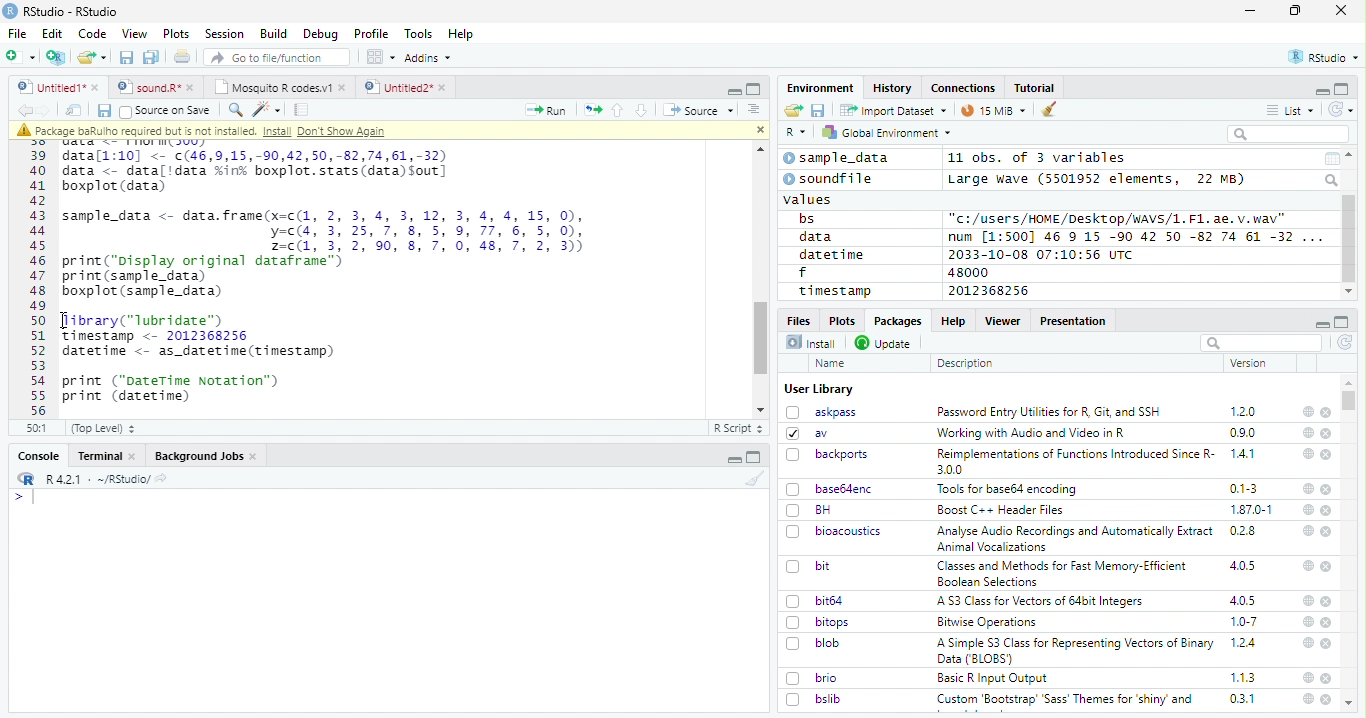 The image size is (1366, 718). I want to click on Show document outline, so click(752, 109).